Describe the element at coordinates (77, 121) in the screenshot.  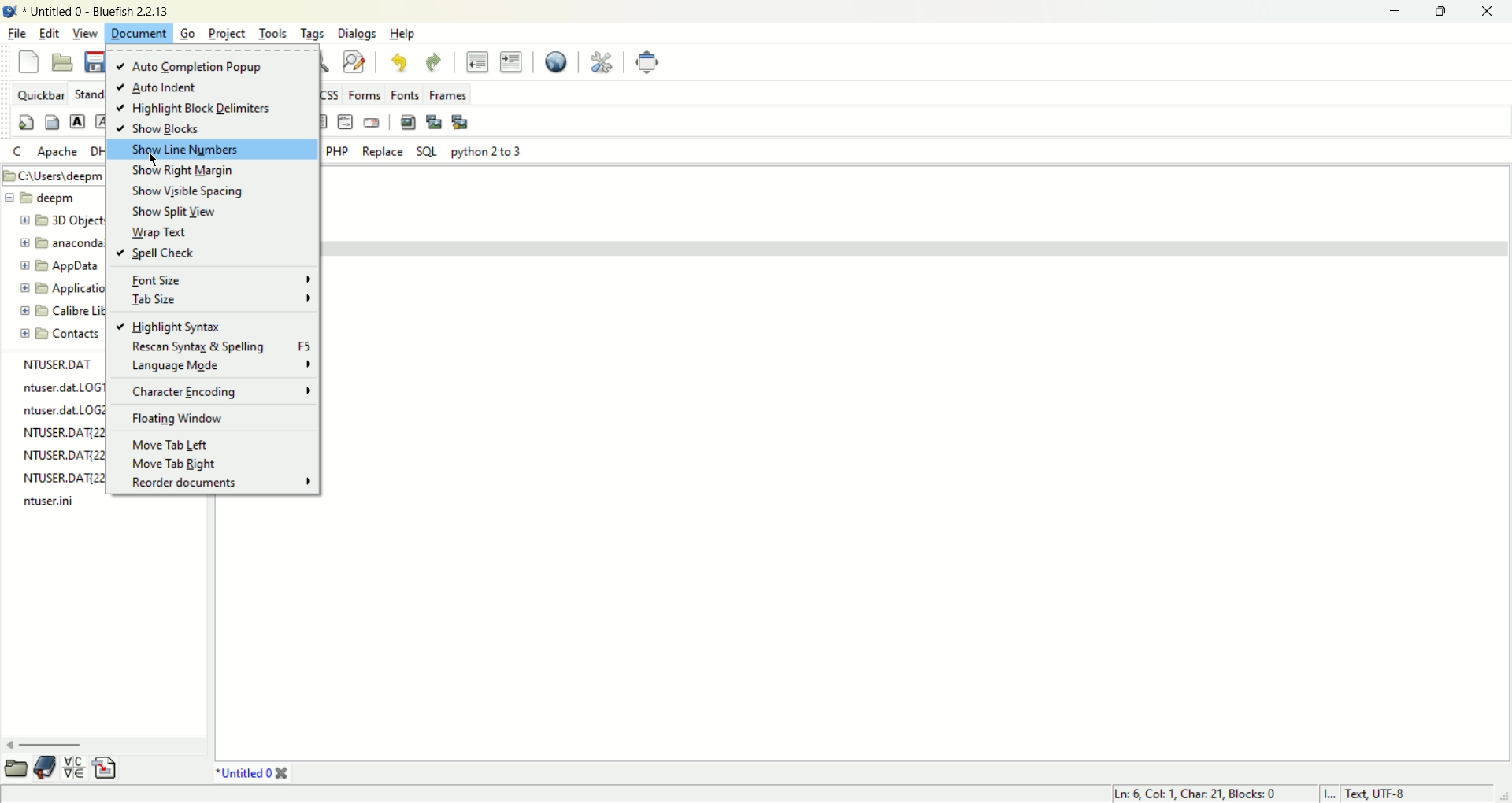
I see `strong` at that location.